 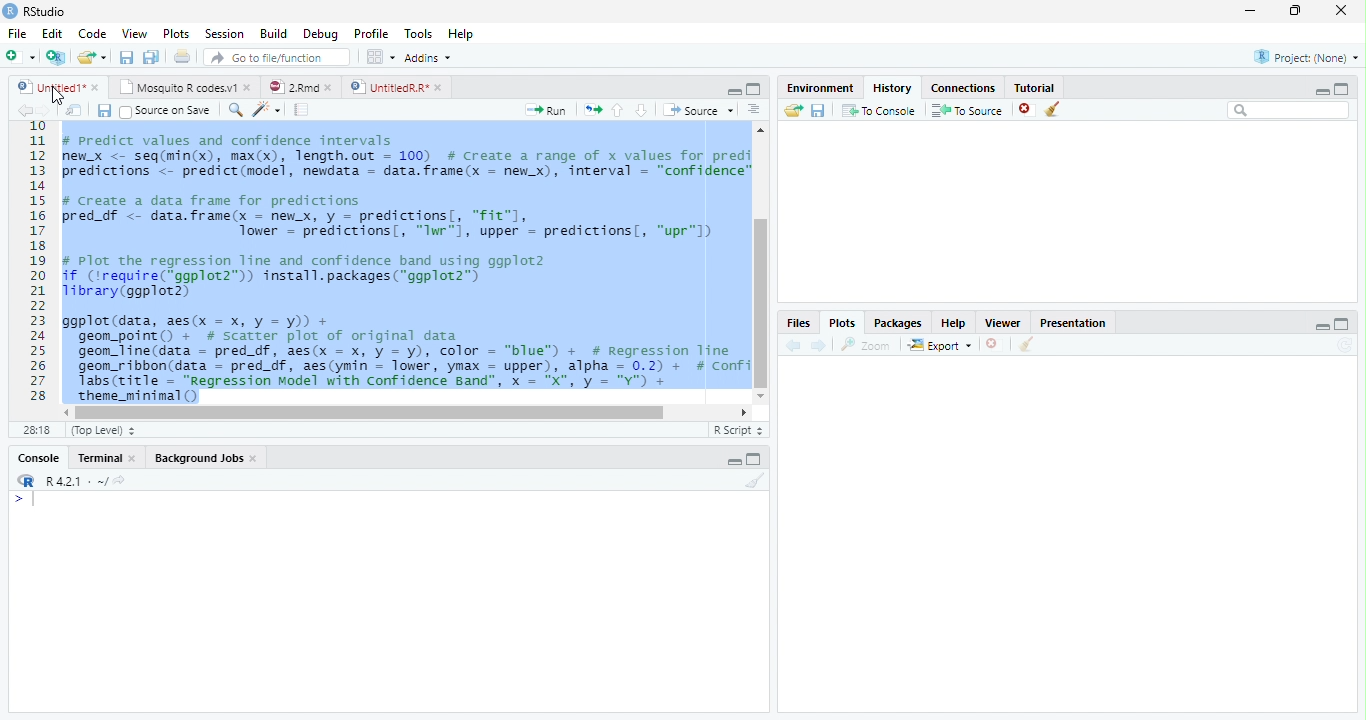 What do you see at coordinates (939, 346) in the screenshot?
I see `Export` at bounding box center [939, 346].